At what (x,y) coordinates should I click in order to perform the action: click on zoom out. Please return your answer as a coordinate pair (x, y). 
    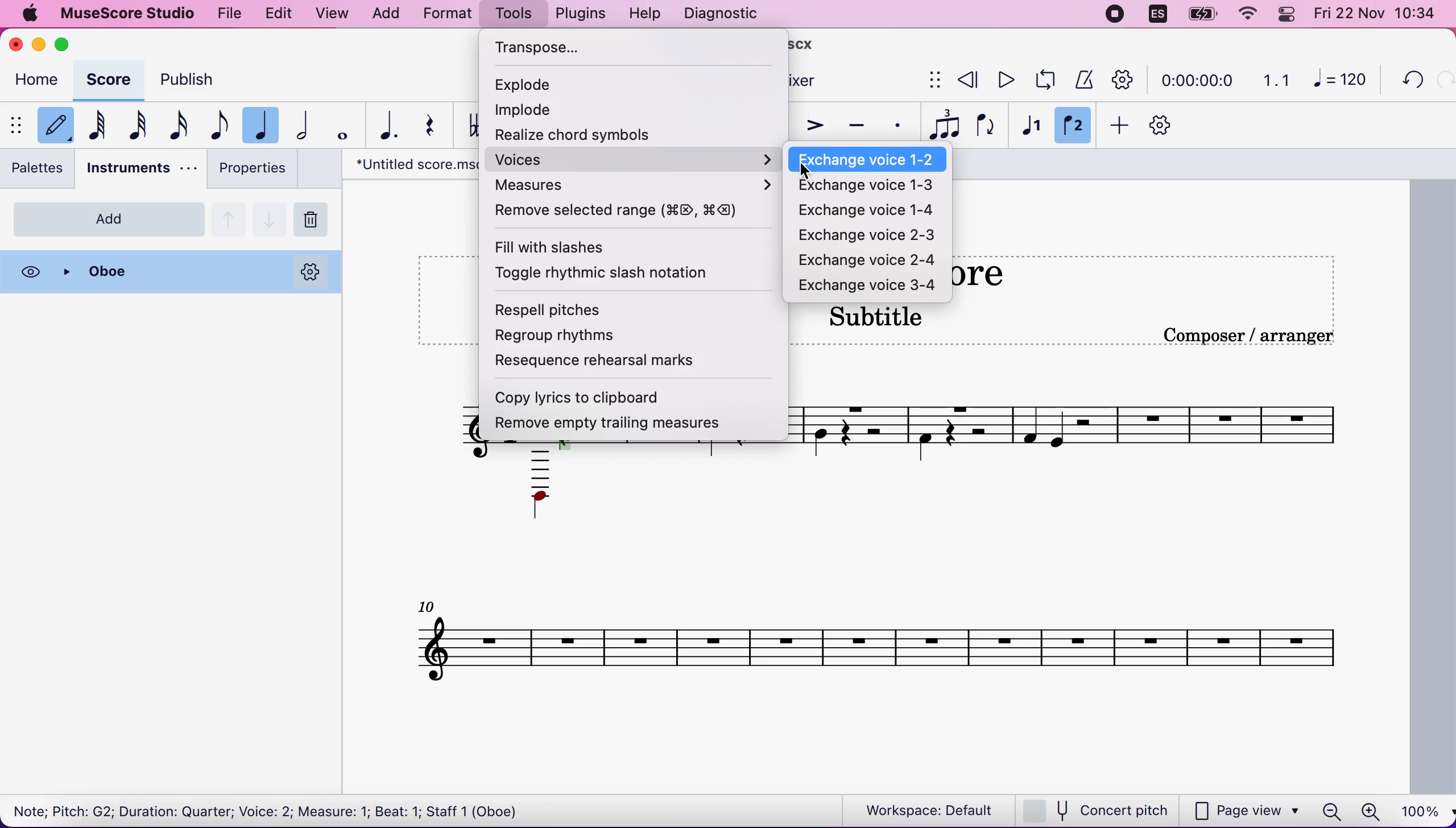
    Looking at the image, I should click on (1331, 808).